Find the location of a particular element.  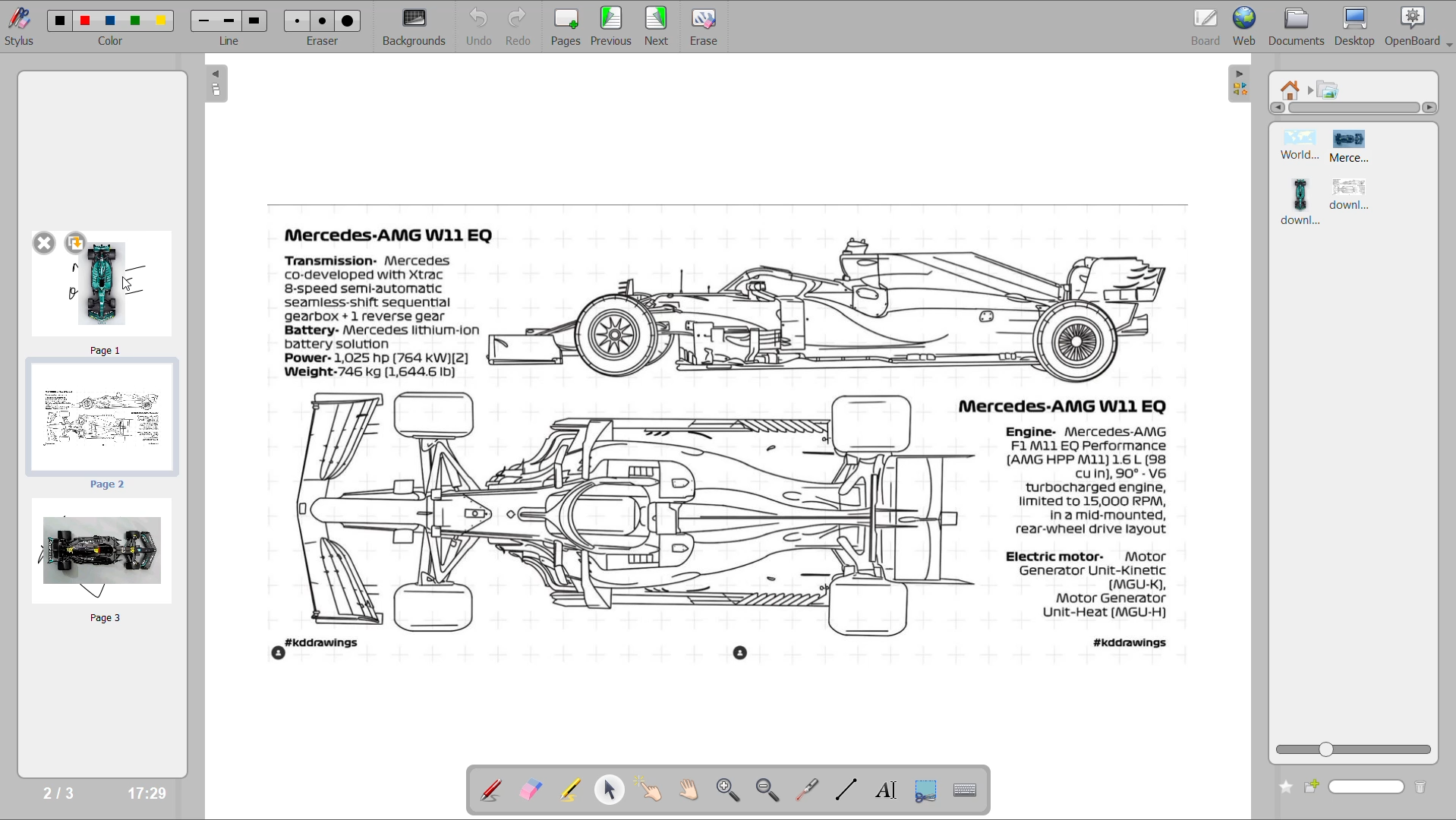

Engine- Mercedes-AMG
F1 M11 EQ Performance
(AMG HPP M11) 16 L (98
culin), 90° - V6
turbocharged engine,
limited to 15,000 RPM,
ina mid-mounted,
rear-wheel drive layout is located at coordinates (1083, 481).